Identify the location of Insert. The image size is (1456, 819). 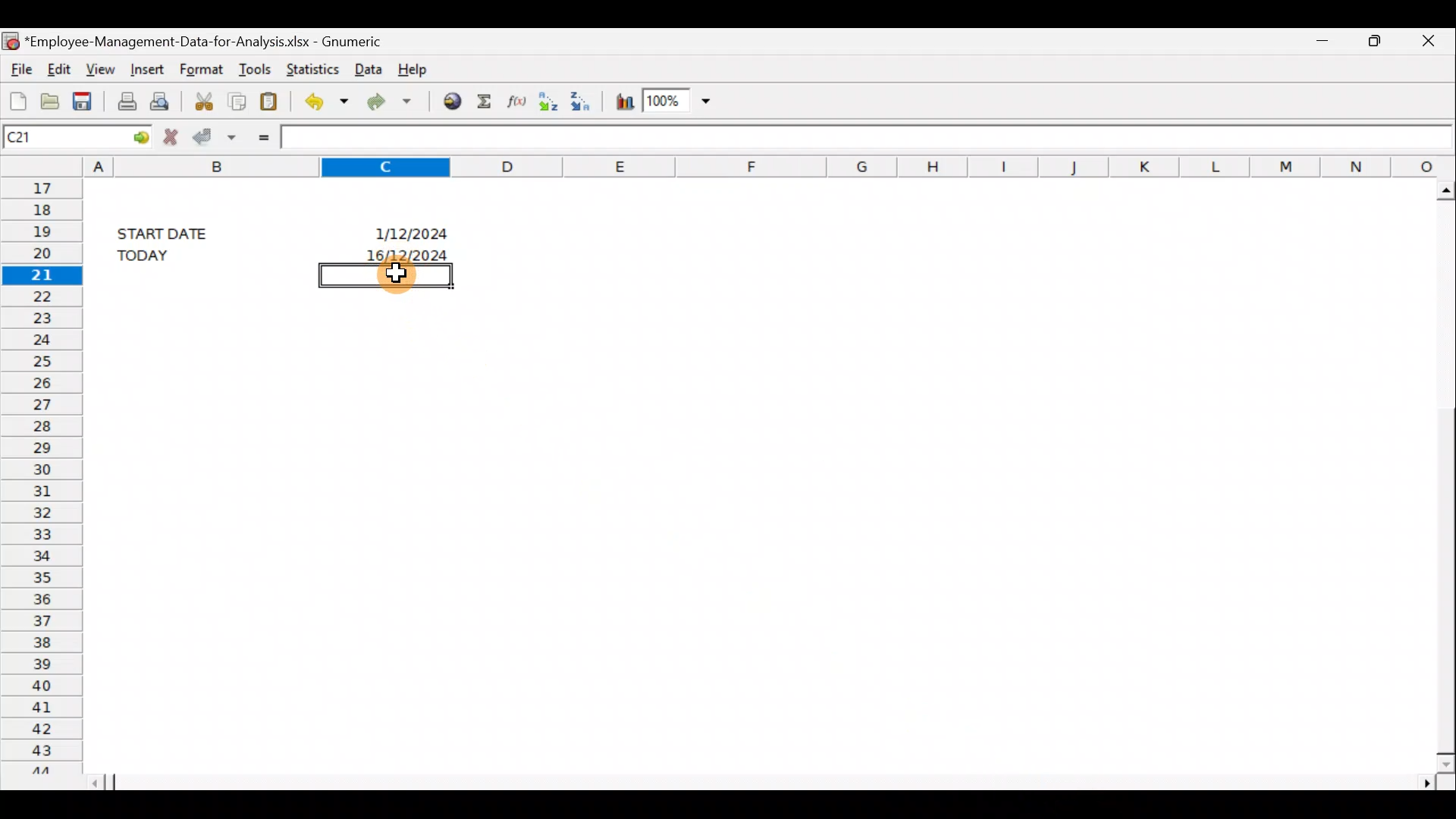
(146, 70).